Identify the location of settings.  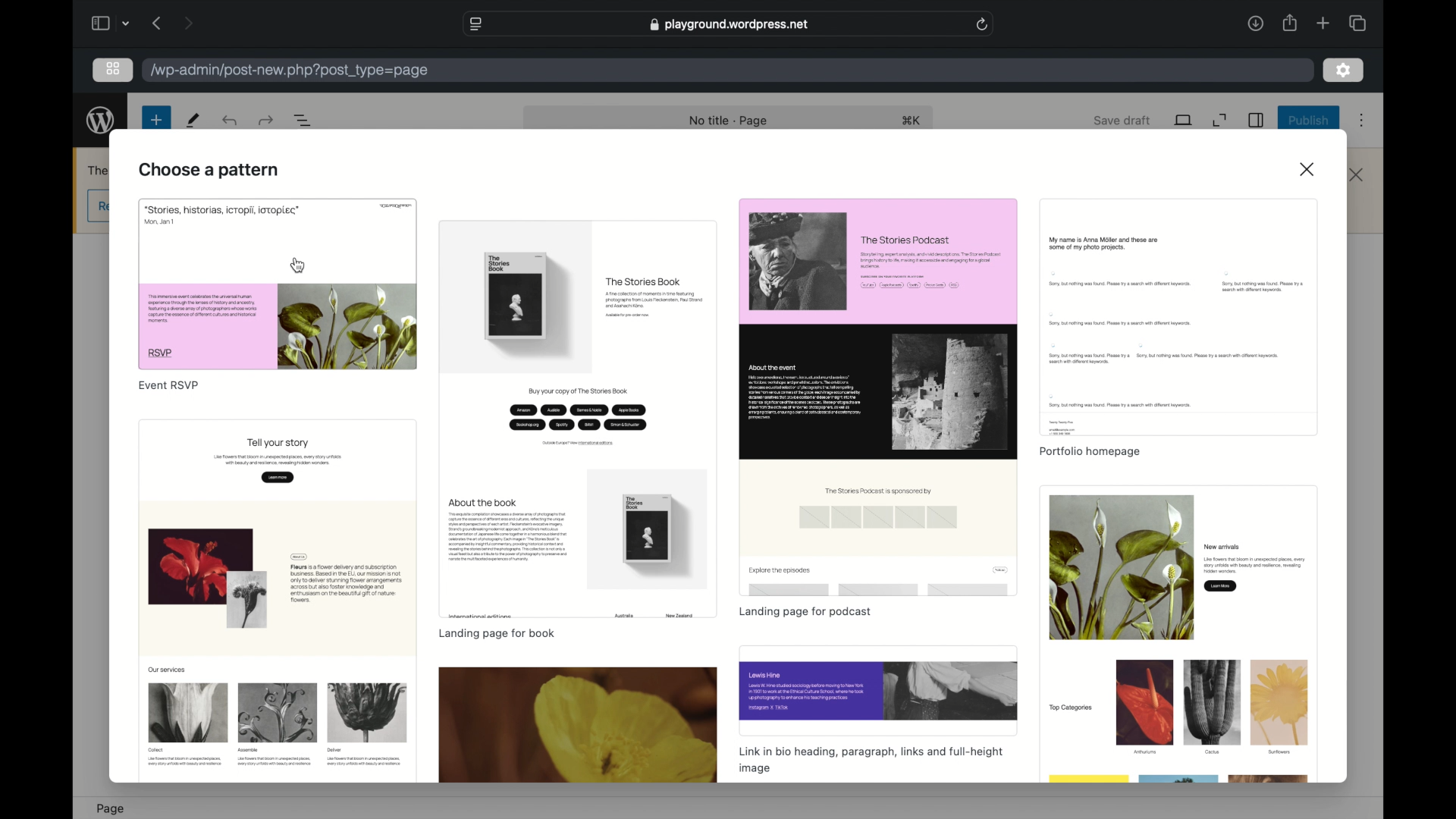
(1344, 71).